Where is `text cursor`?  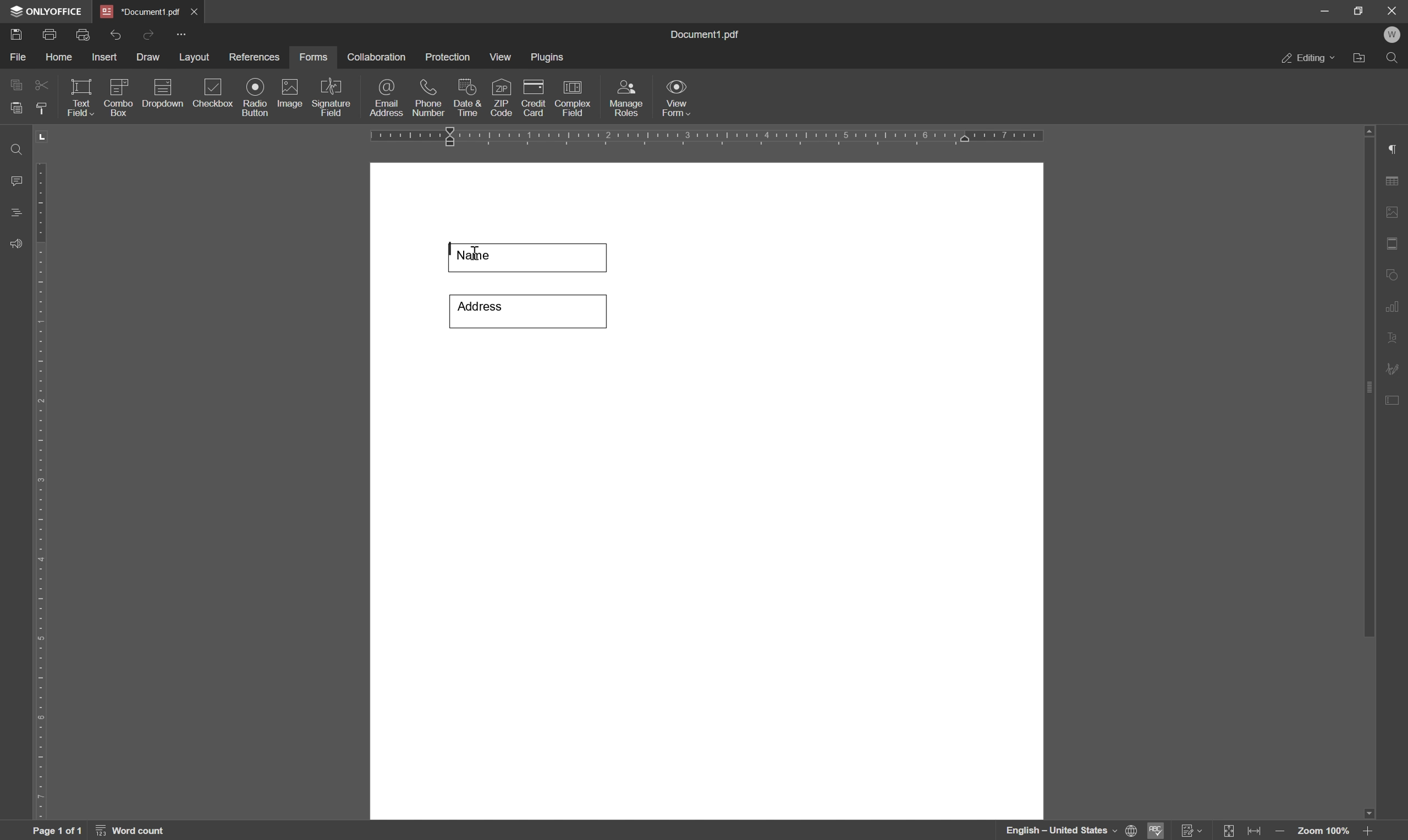
text cursor is located at coordinates (473, 257).